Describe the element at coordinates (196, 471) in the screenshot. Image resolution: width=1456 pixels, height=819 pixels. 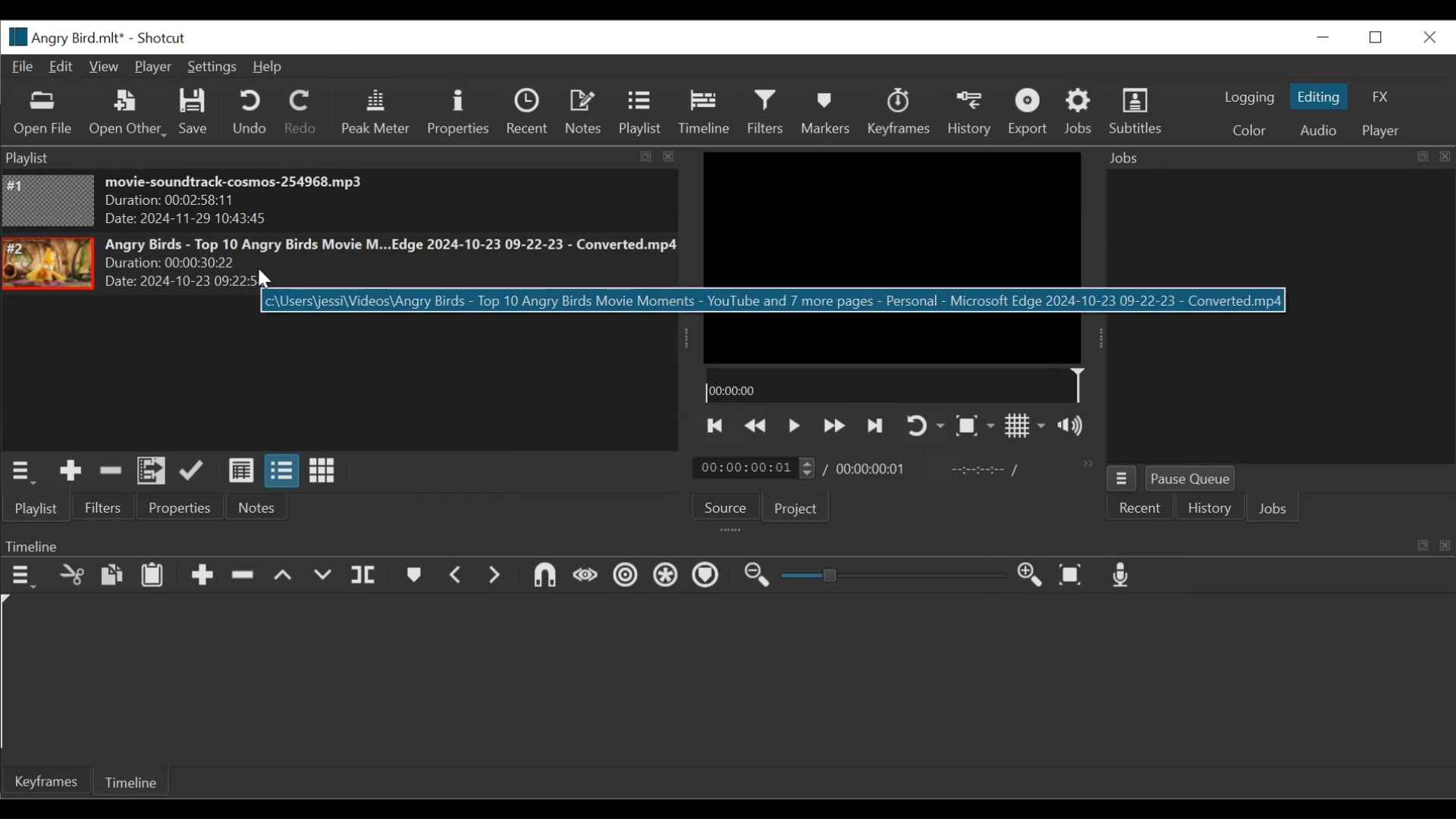
I see `Update` at that location.